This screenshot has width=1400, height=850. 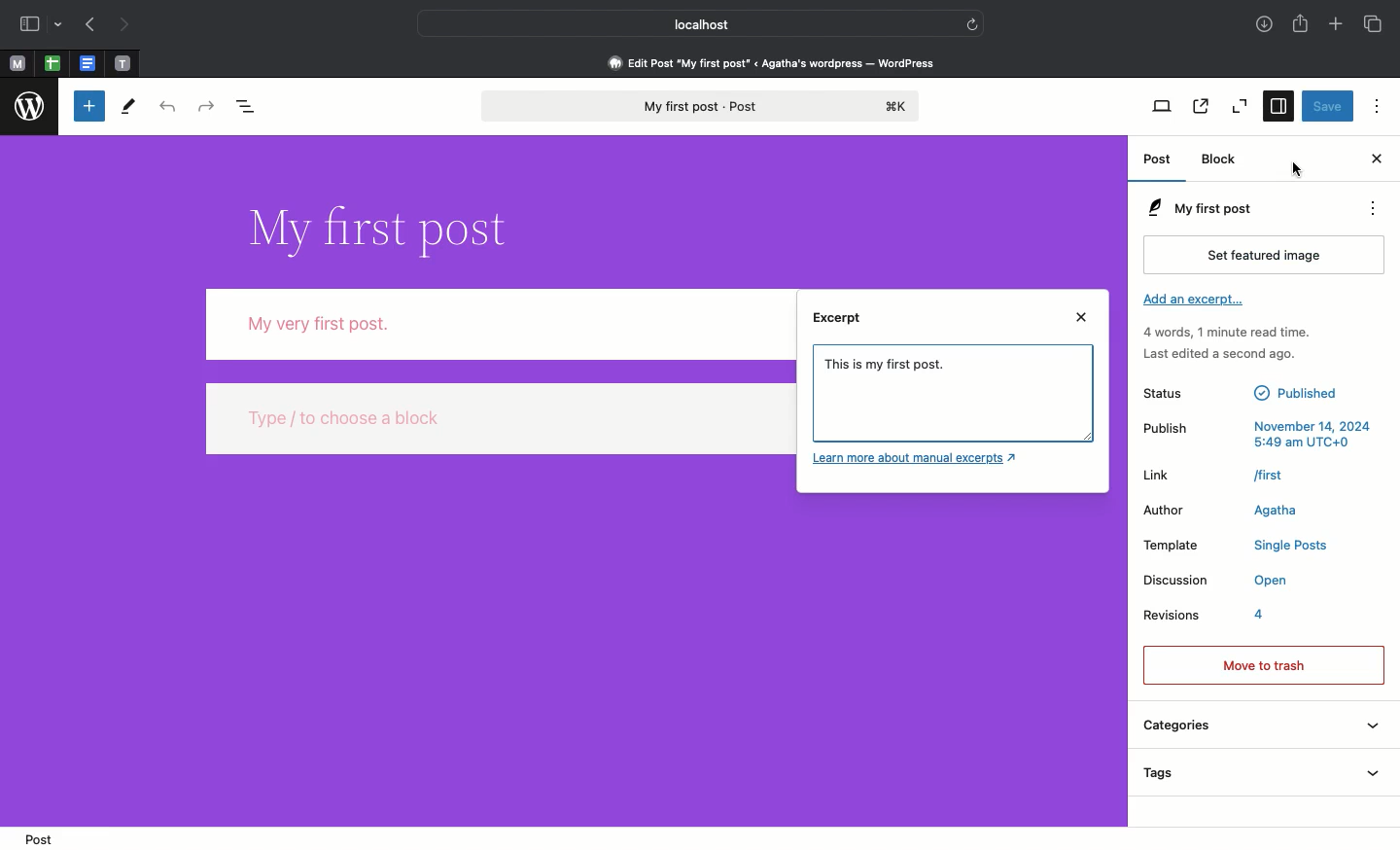 What do you see at coordinates (778, 62) in the screenshot?
I see `Edit Post "My first post” « Agatha's wordpress — WordPress` at bounding box center [778, 62].